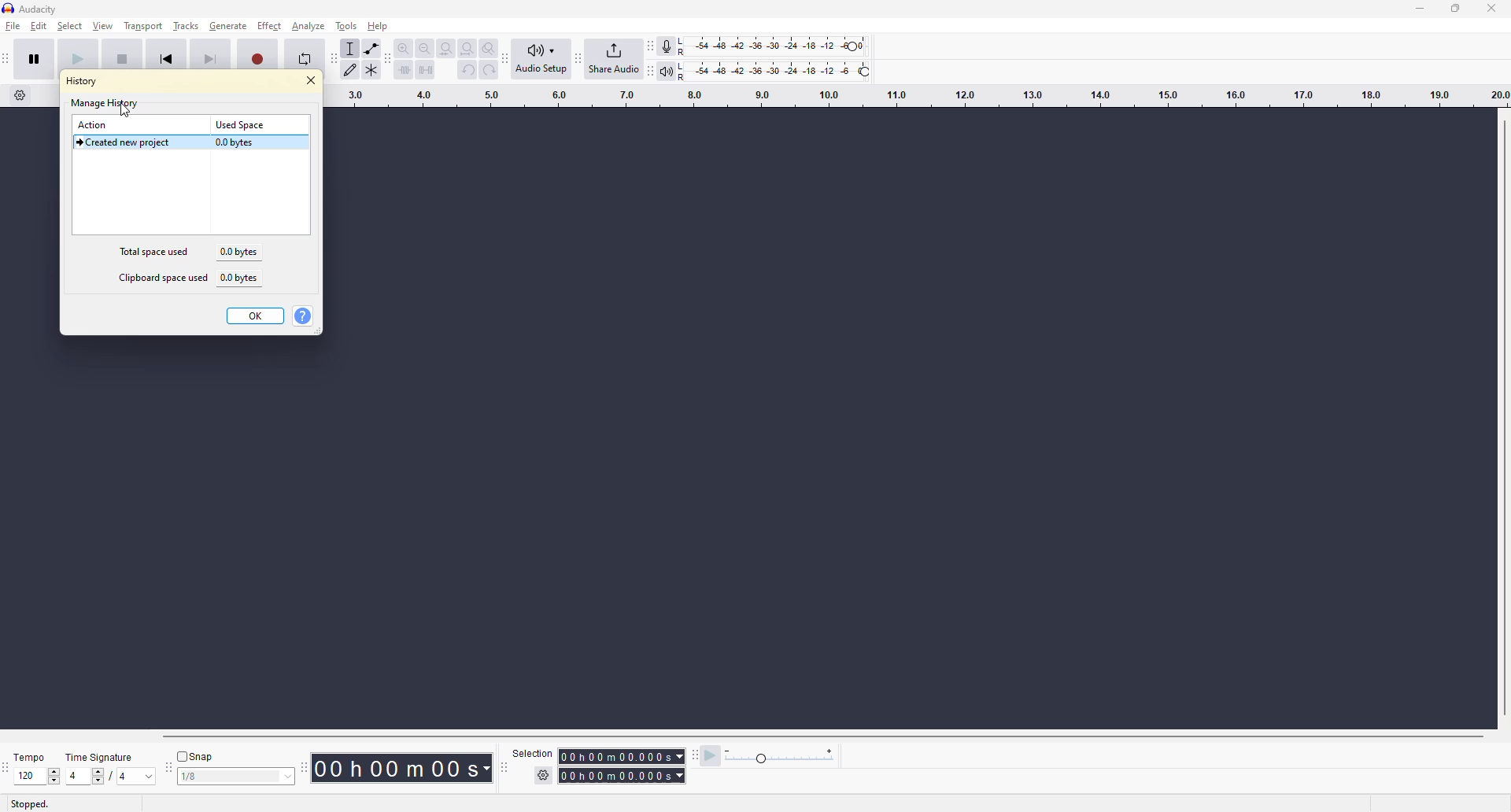 This screenshot has width=1511, height=812. What do you see at coordinates (14, 31) in the screenshot?
I see `file` at bounding box center [14, 31].